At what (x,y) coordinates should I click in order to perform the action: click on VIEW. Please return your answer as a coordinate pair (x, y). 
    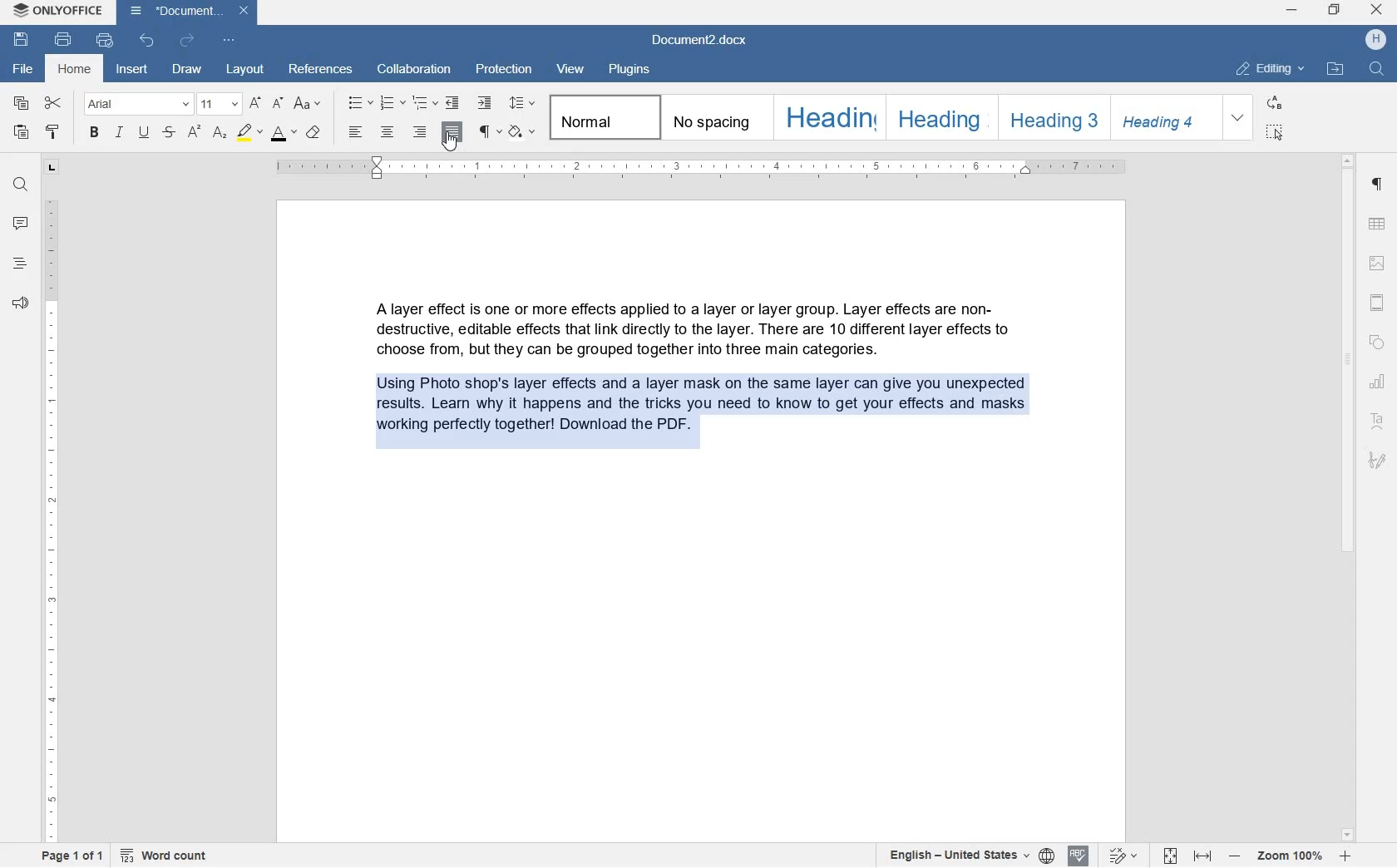
    Looking at the image, I should click on (568, 69).